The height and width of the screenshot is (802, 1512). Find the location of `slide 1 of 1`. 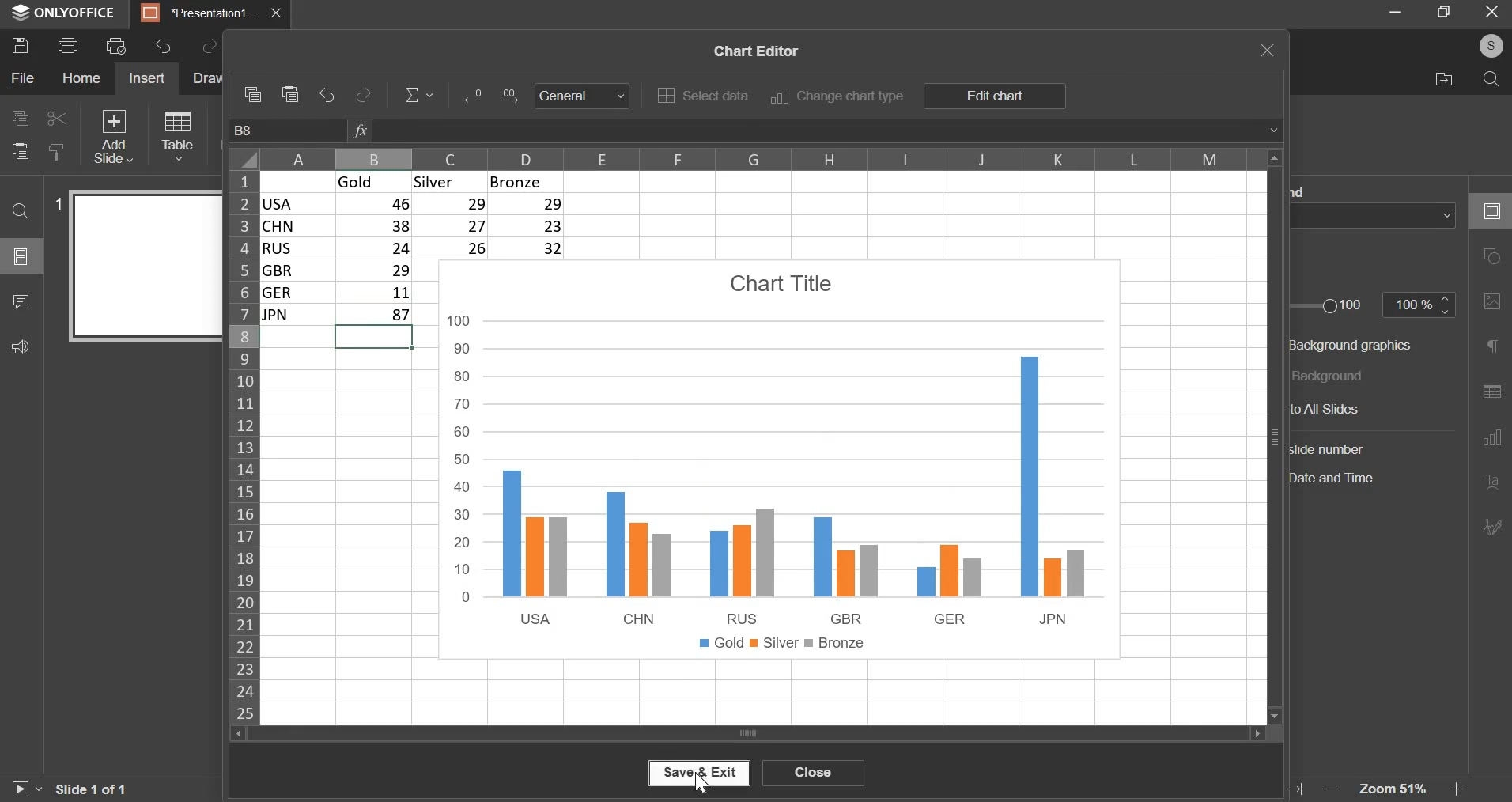

slide 1 of 1 is located at coordinates (90, 791).